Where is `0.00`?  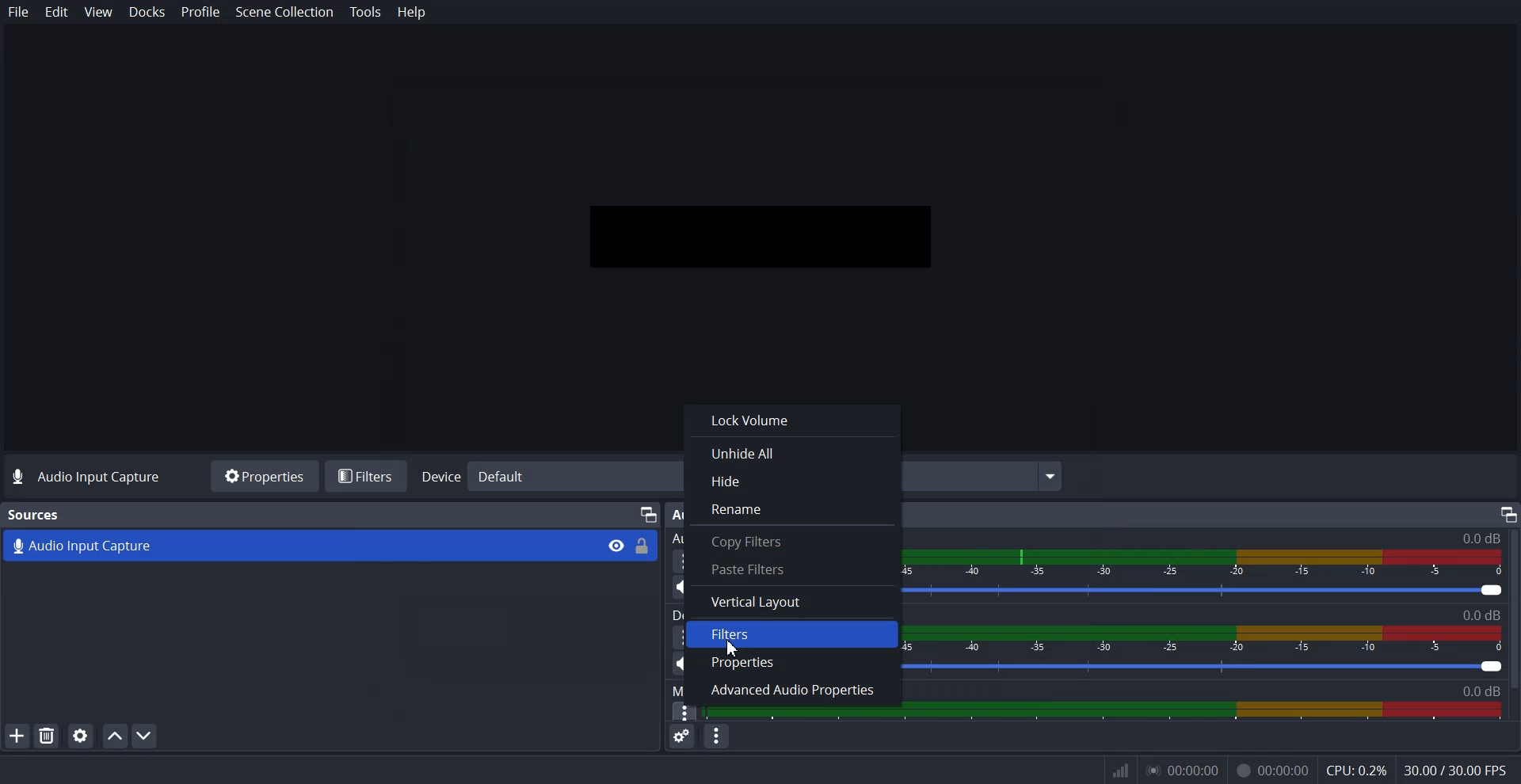
0.00 is located at coordinates (1180, 771).